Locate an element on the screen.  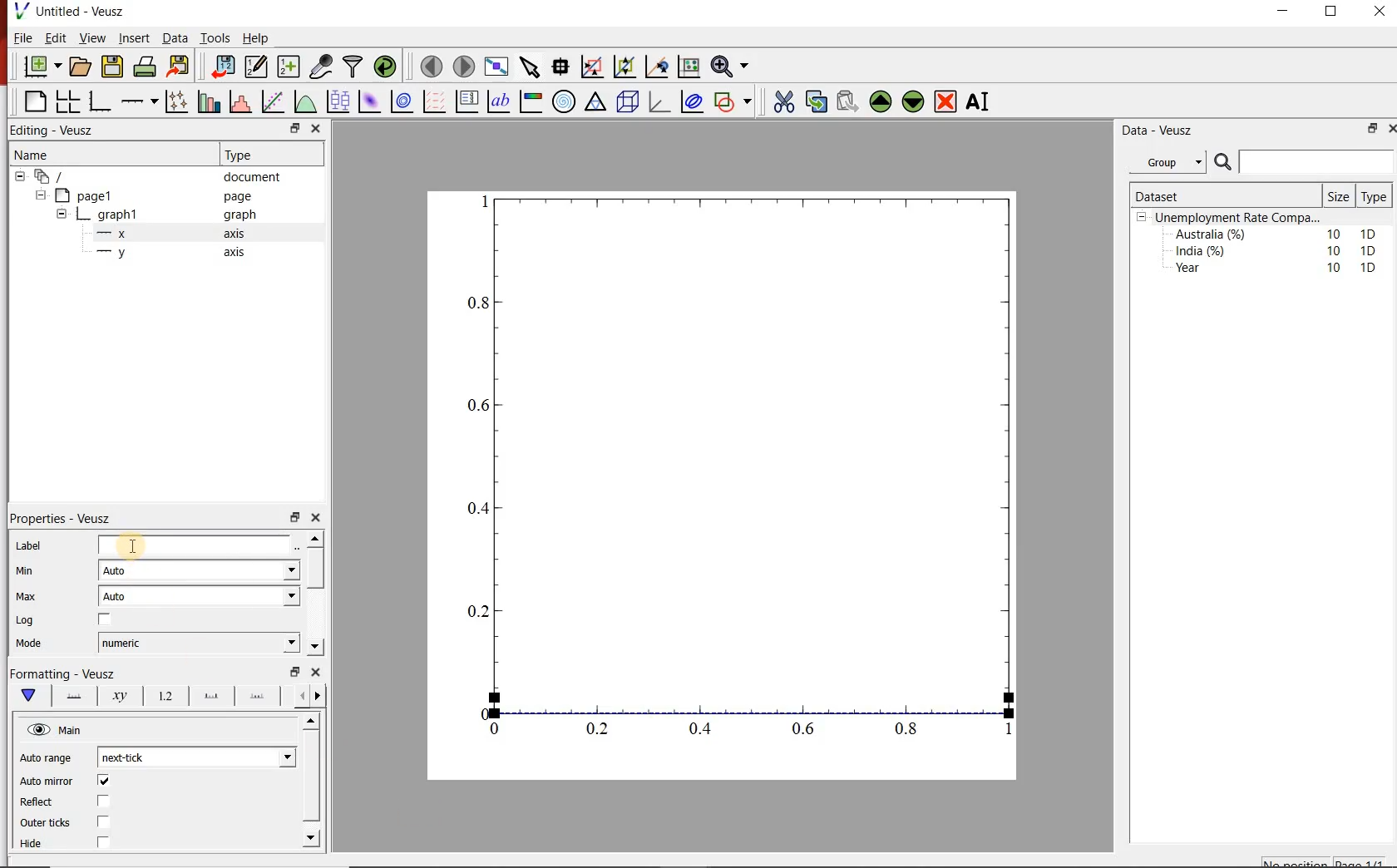
paste the widgets is located at coordinates (848, 101).